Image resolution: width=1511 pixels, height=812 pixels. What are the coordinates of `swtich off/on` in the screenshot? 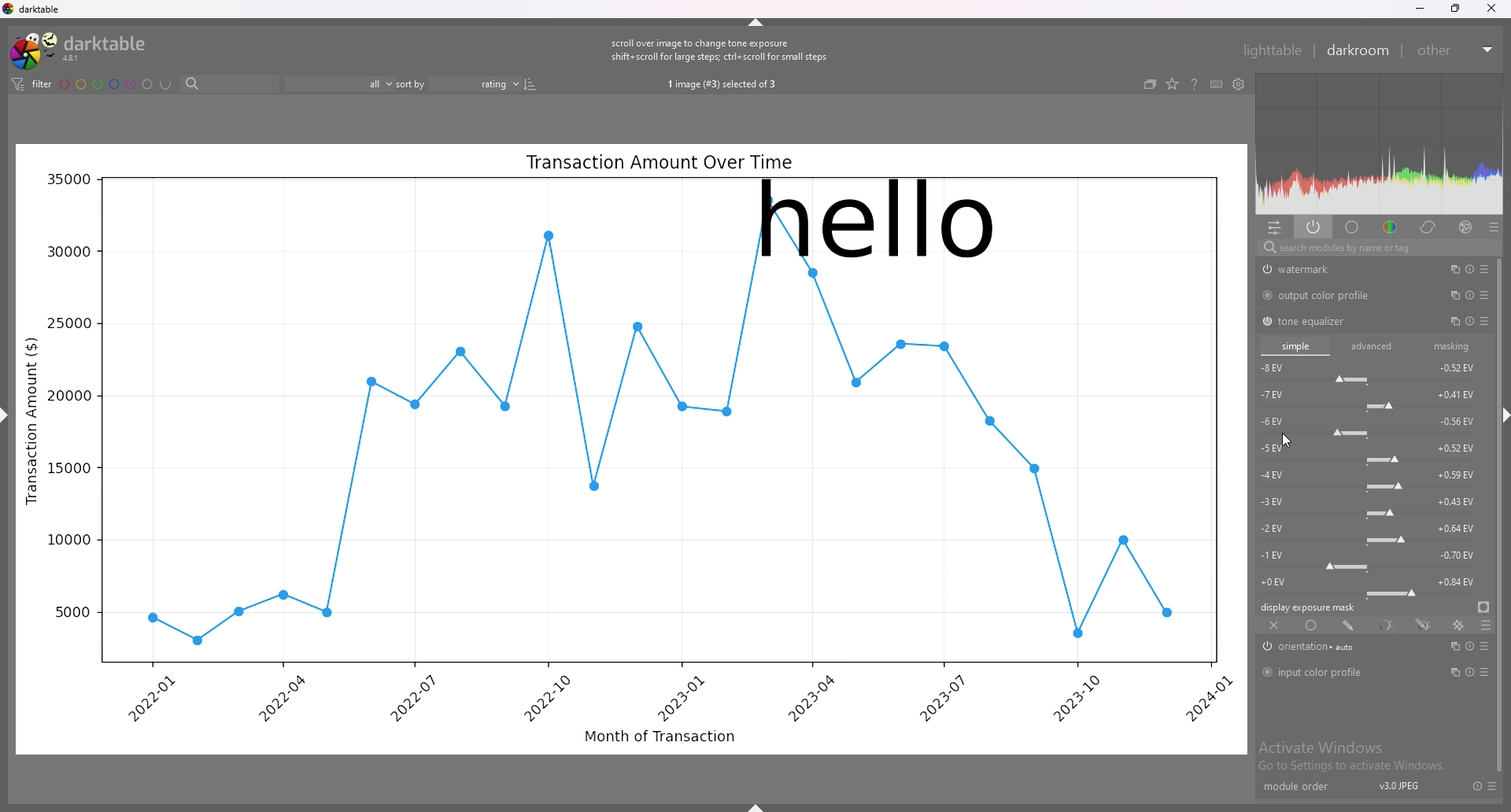 It's located at (1265, 269).